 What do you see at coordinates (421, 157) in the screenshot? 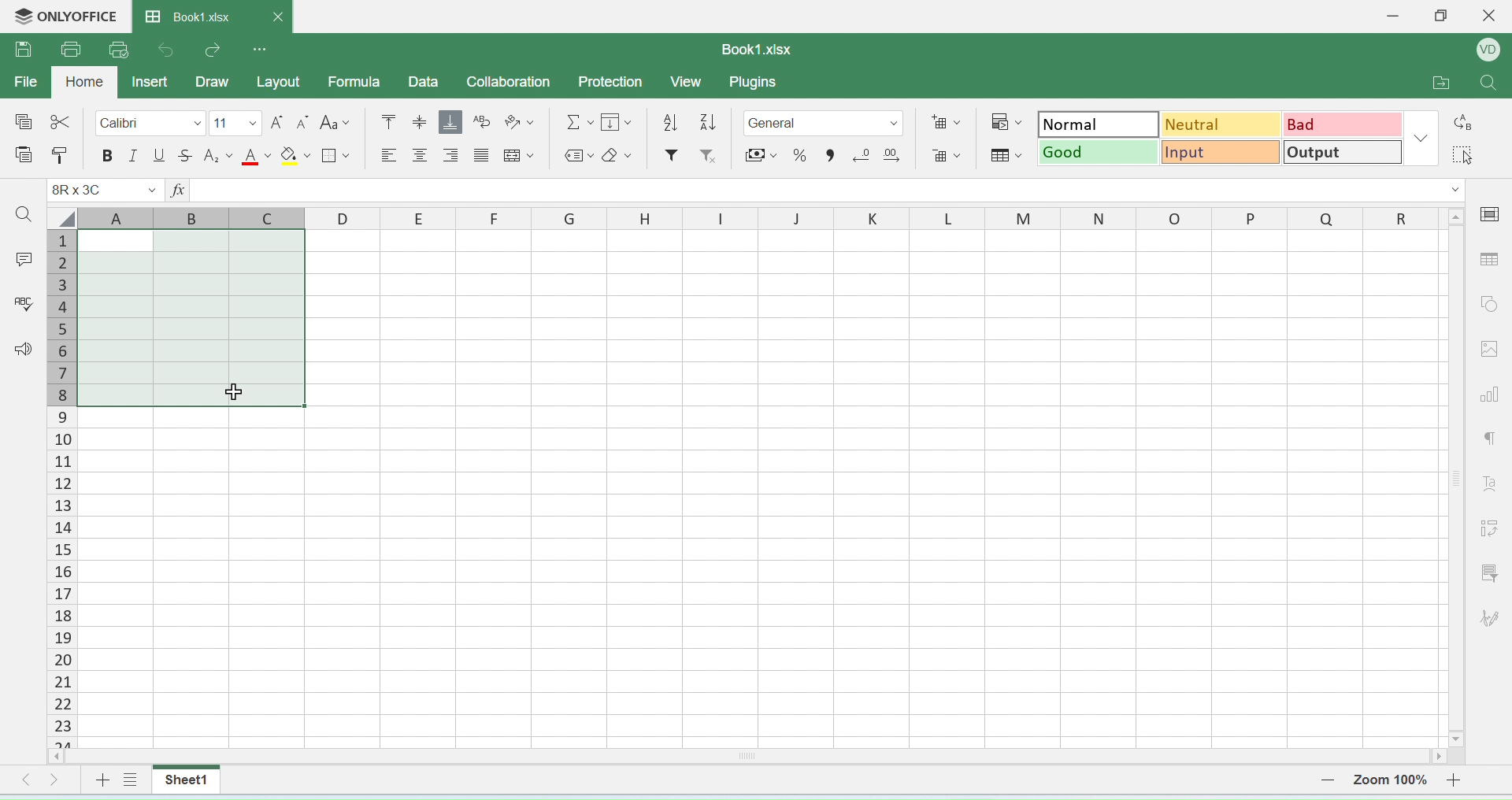
I see `align center` at bounding box center [421, 157].